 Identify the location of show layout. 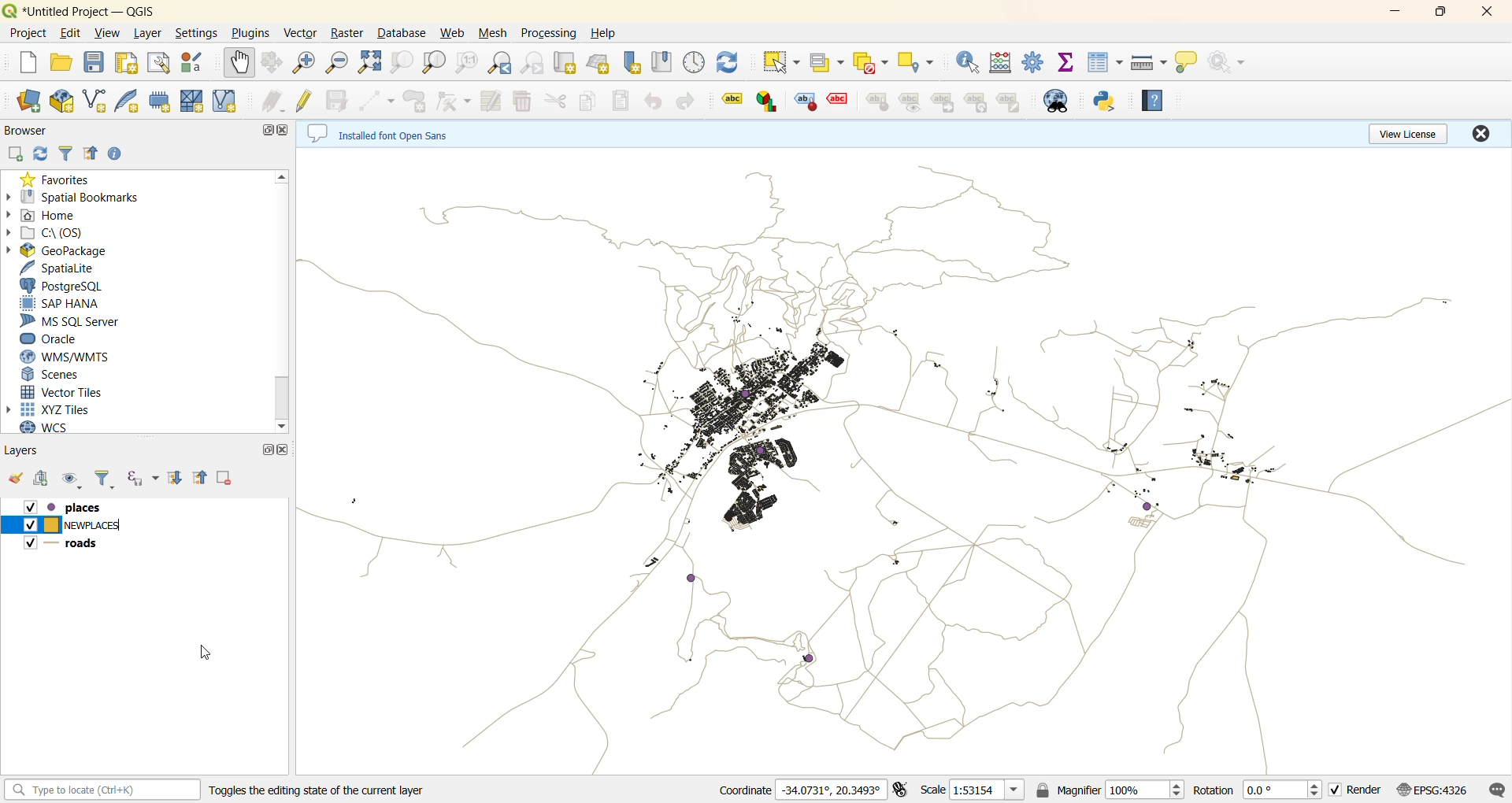
(159, 65).